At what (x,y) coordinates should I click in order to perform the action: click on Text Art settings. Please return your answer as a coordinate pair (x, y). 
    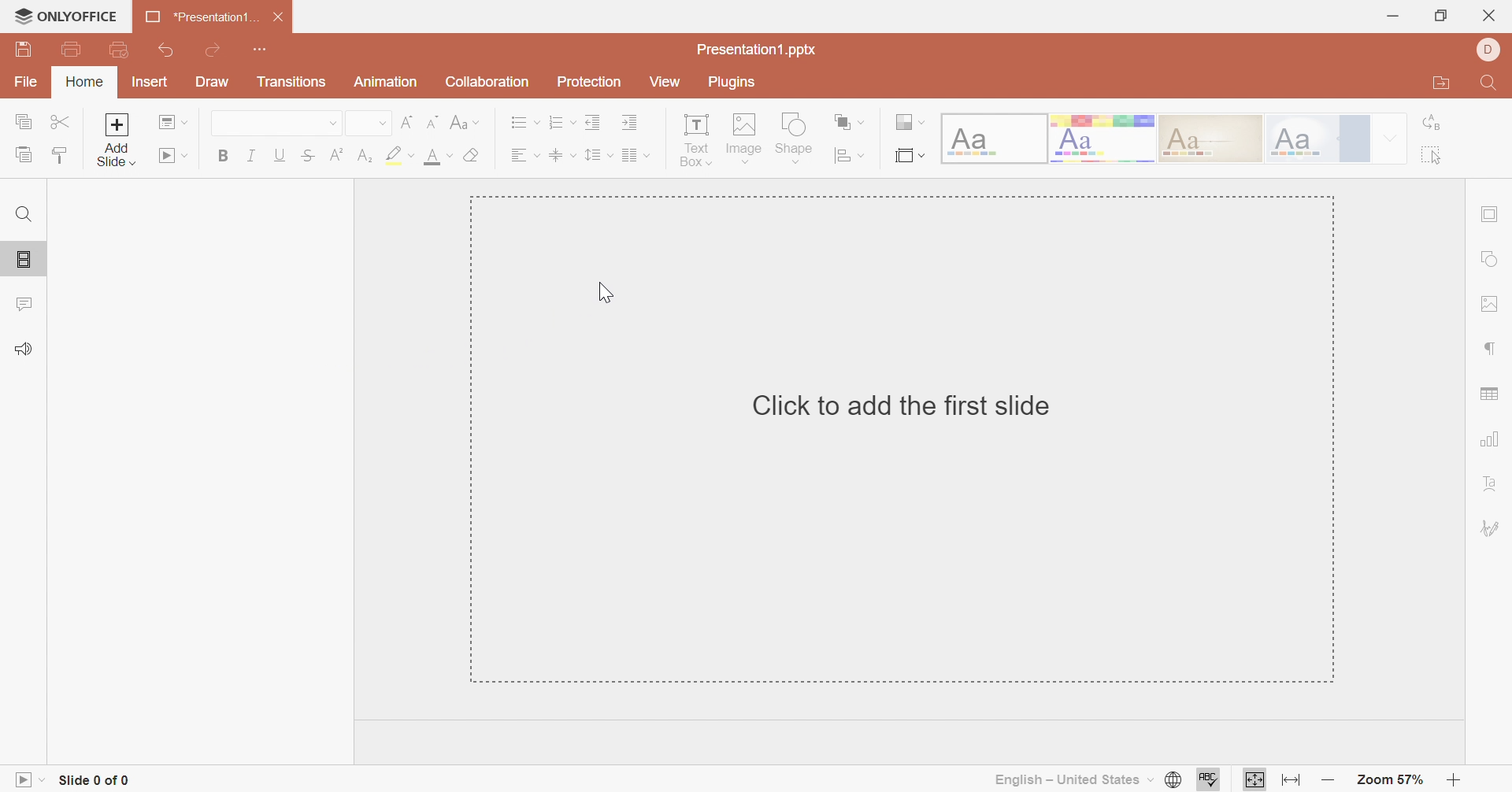
    Looking at the image, I should click on (1492, 479).